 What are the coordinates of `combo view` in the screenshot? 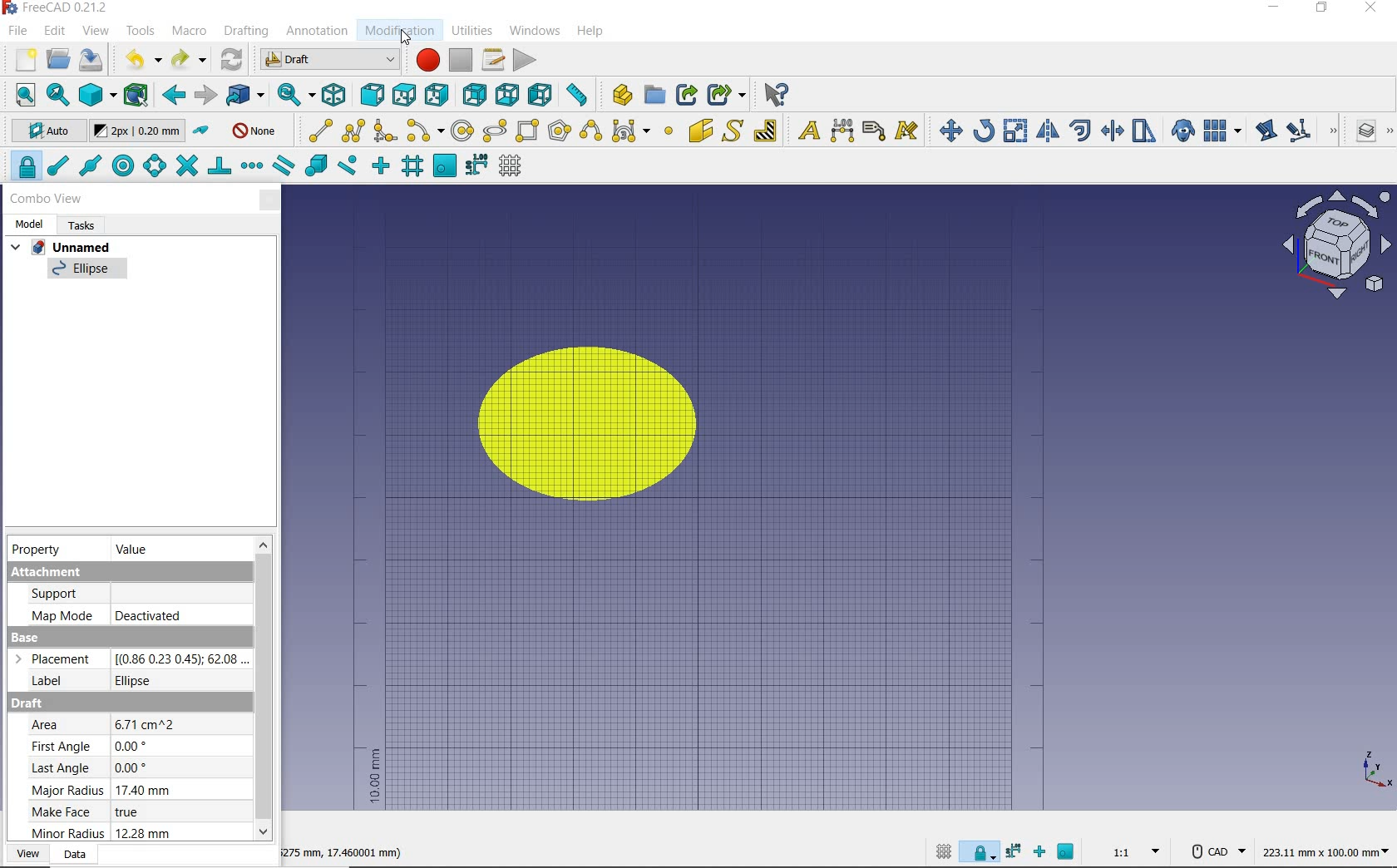 It's located at (45, 199).